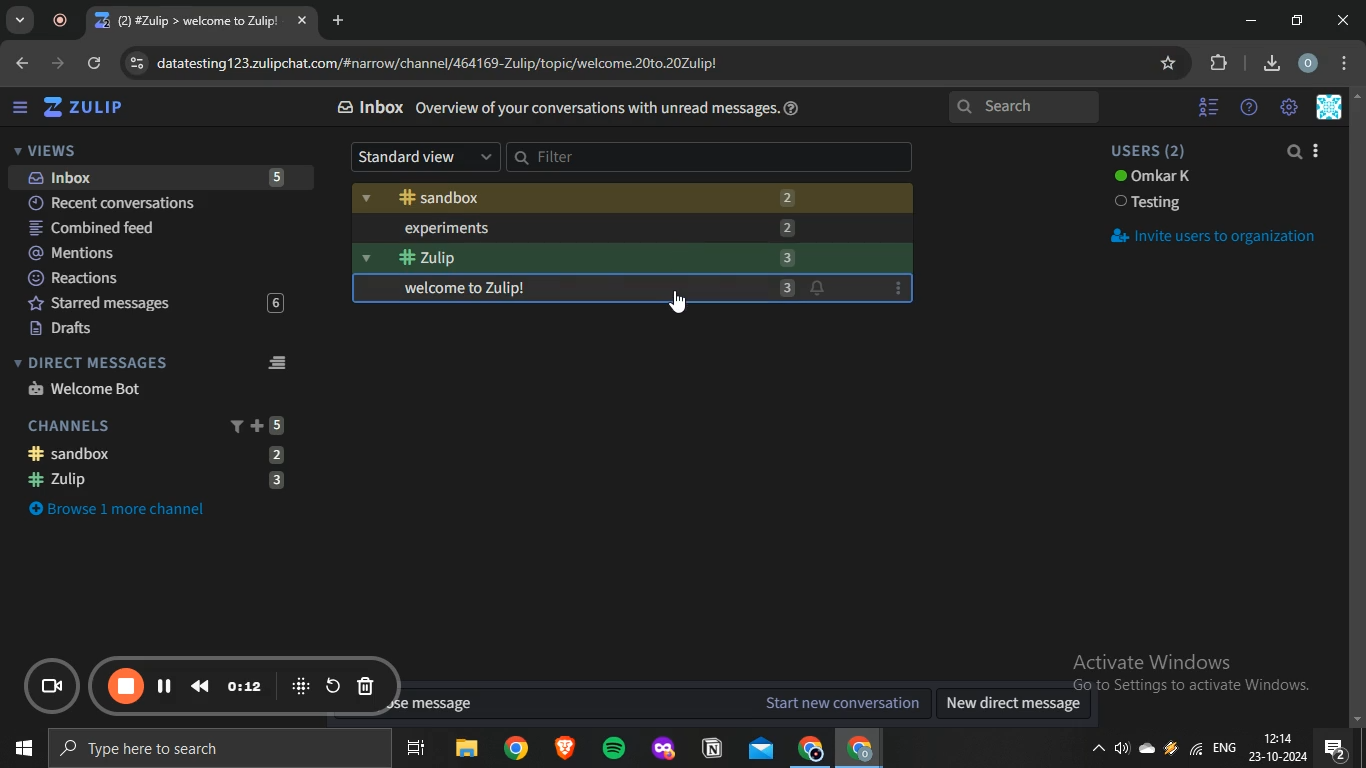 The width and height of the screenshot is (1366, 768). What do you see at coordinates (1249, 108) in the screenshot?
I see `help menu` at bounding box center [1249, 108].